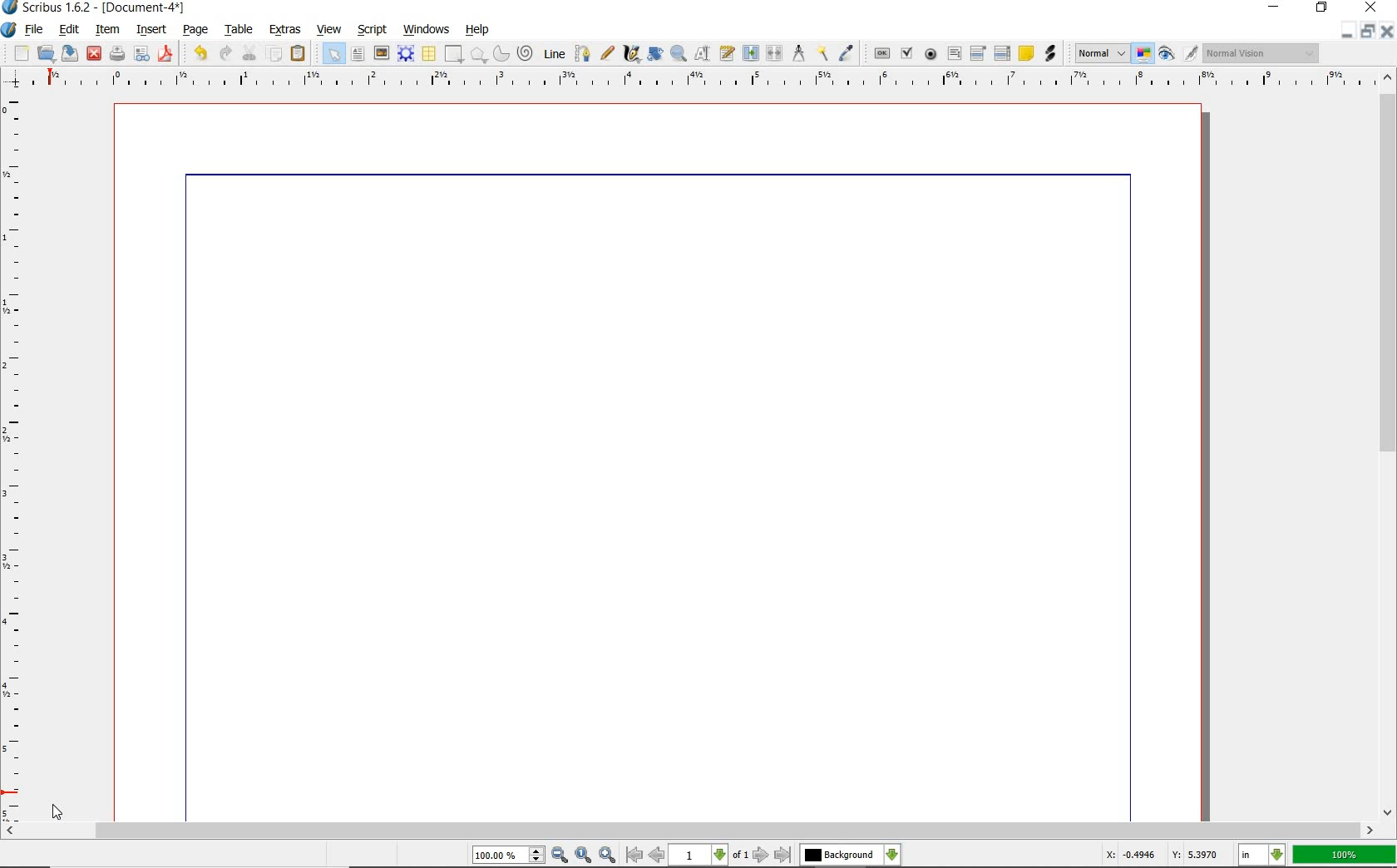 The image size is (1397, 868). I want to click on image frame, so click(382, 53).